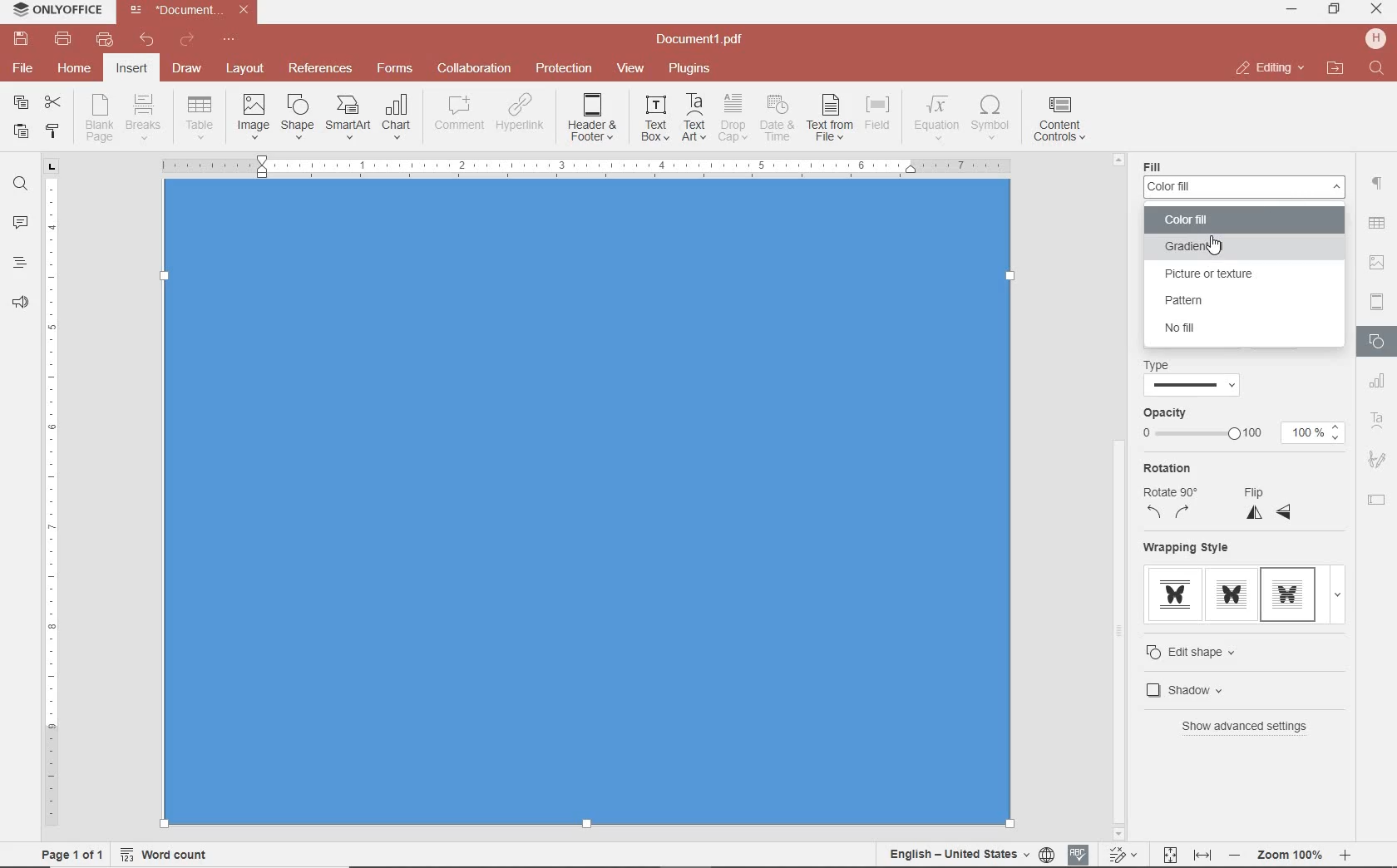 Image resolution: width=1397 pixels, height=868 pixels. What do you see at coordinates (21, 303) in the screenshot?
I see `feedback & support` at bounding box center [21, 303].